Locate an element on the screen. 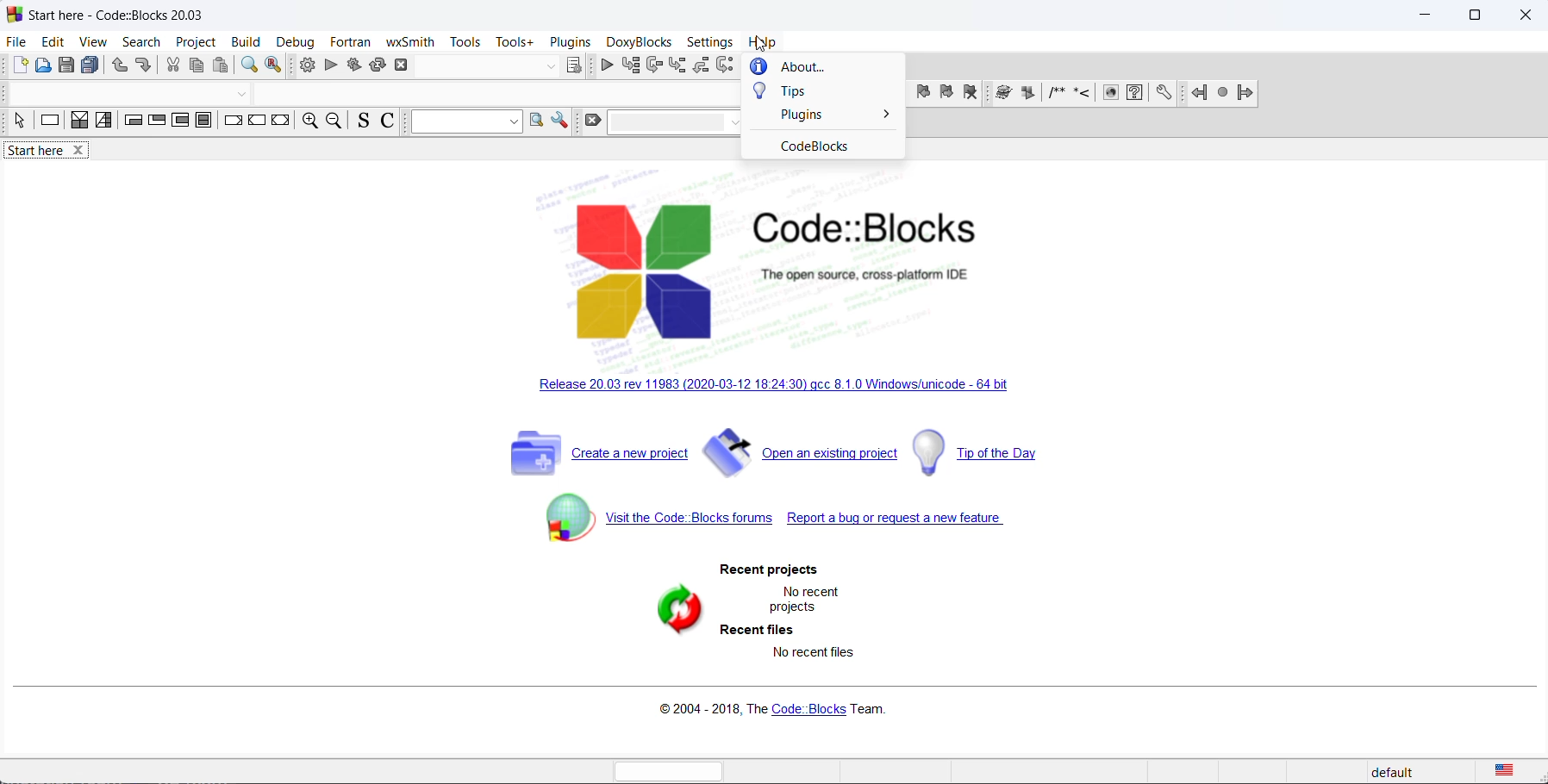 Image resolution: width=1548 pixels, height=784 pixels. cut is located at coordinates (171, 66).